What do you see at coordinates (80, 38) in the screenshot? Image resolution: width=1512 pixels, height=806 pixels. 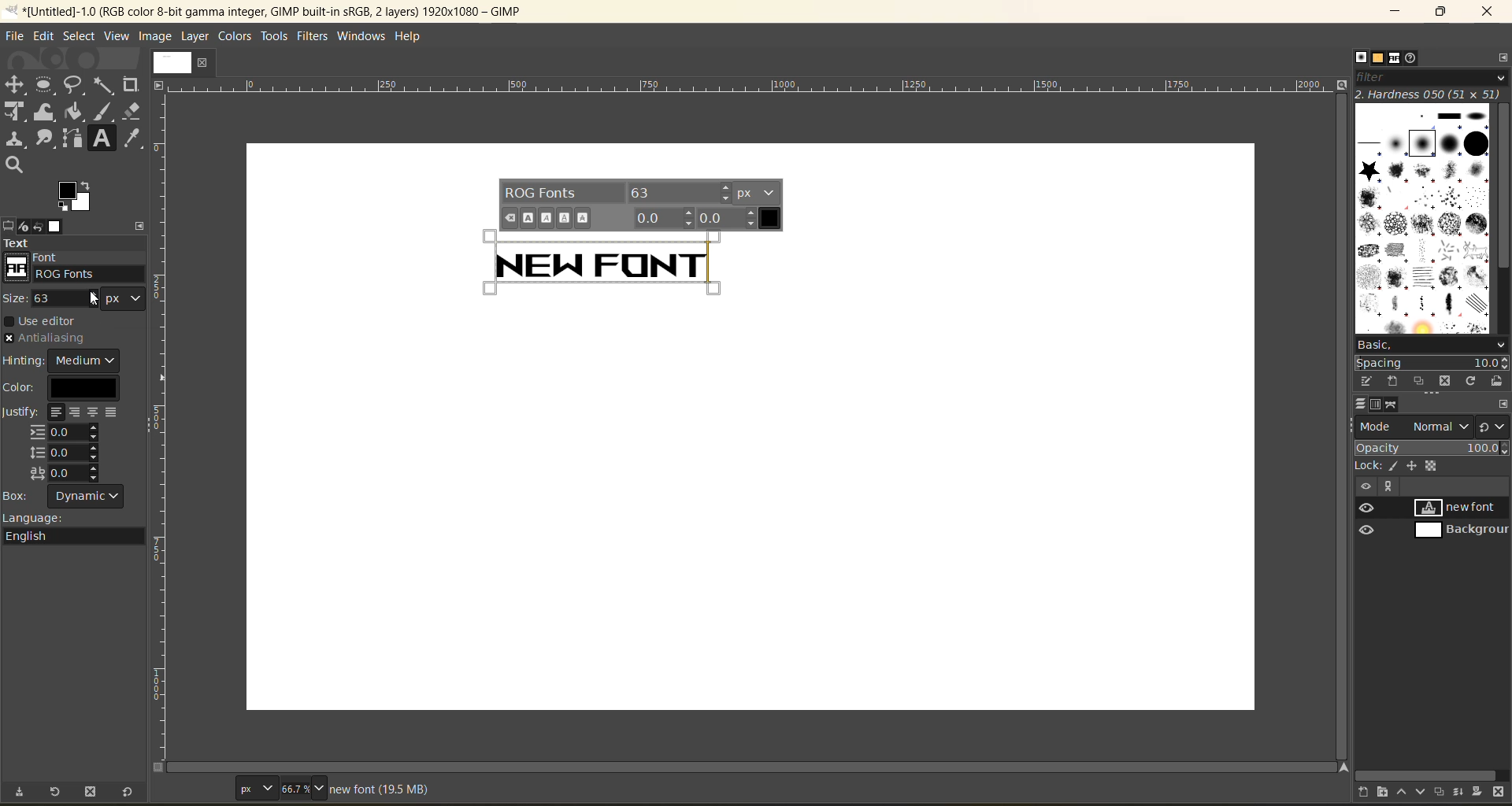 I see `select` at bounding box center [80, 38].